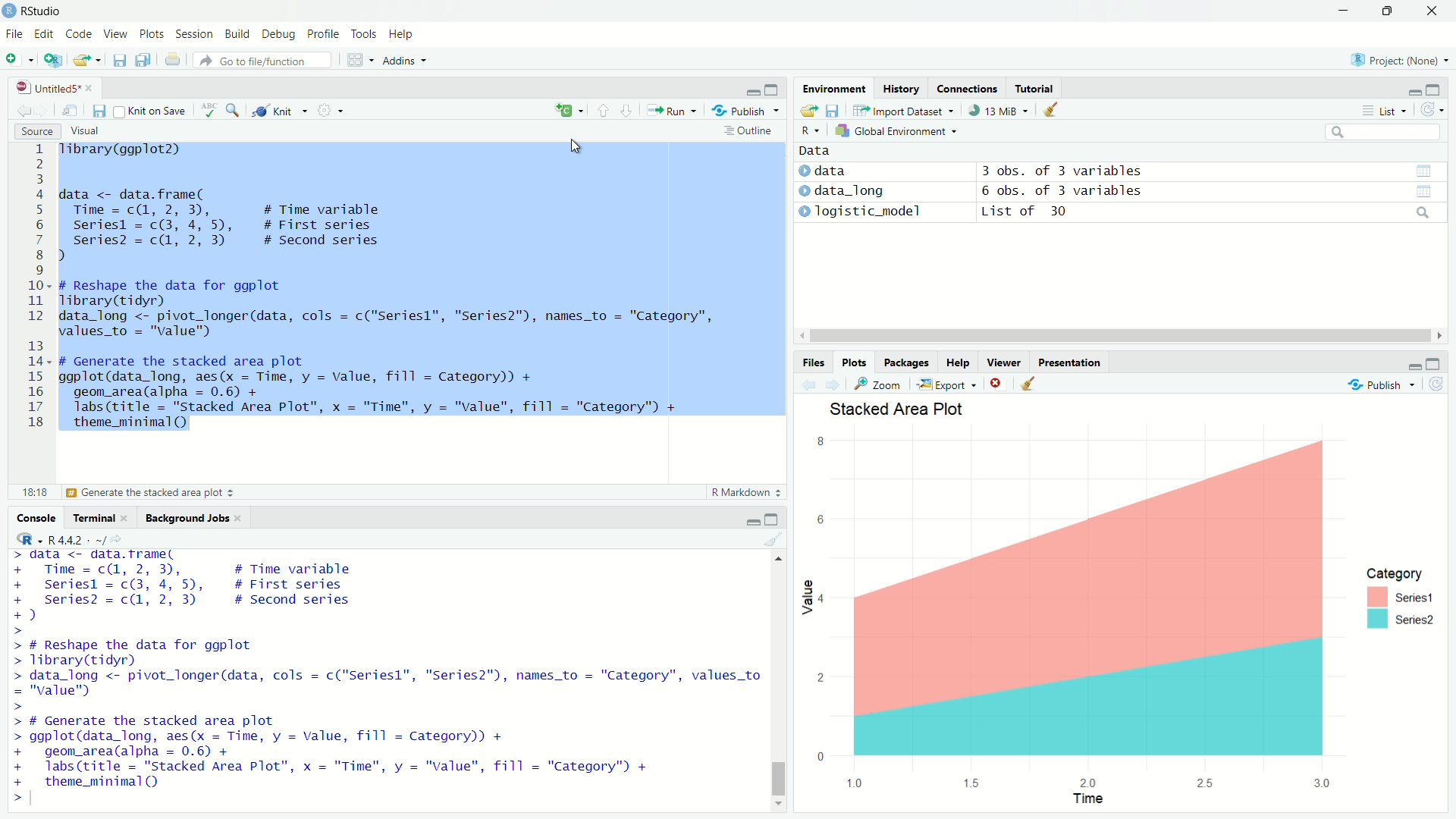 This screenshot has height=819, width=1456. What do you see at coordinates (1425, 170) in the screenshot?
I see `view` at bounding box center [1425, 170].